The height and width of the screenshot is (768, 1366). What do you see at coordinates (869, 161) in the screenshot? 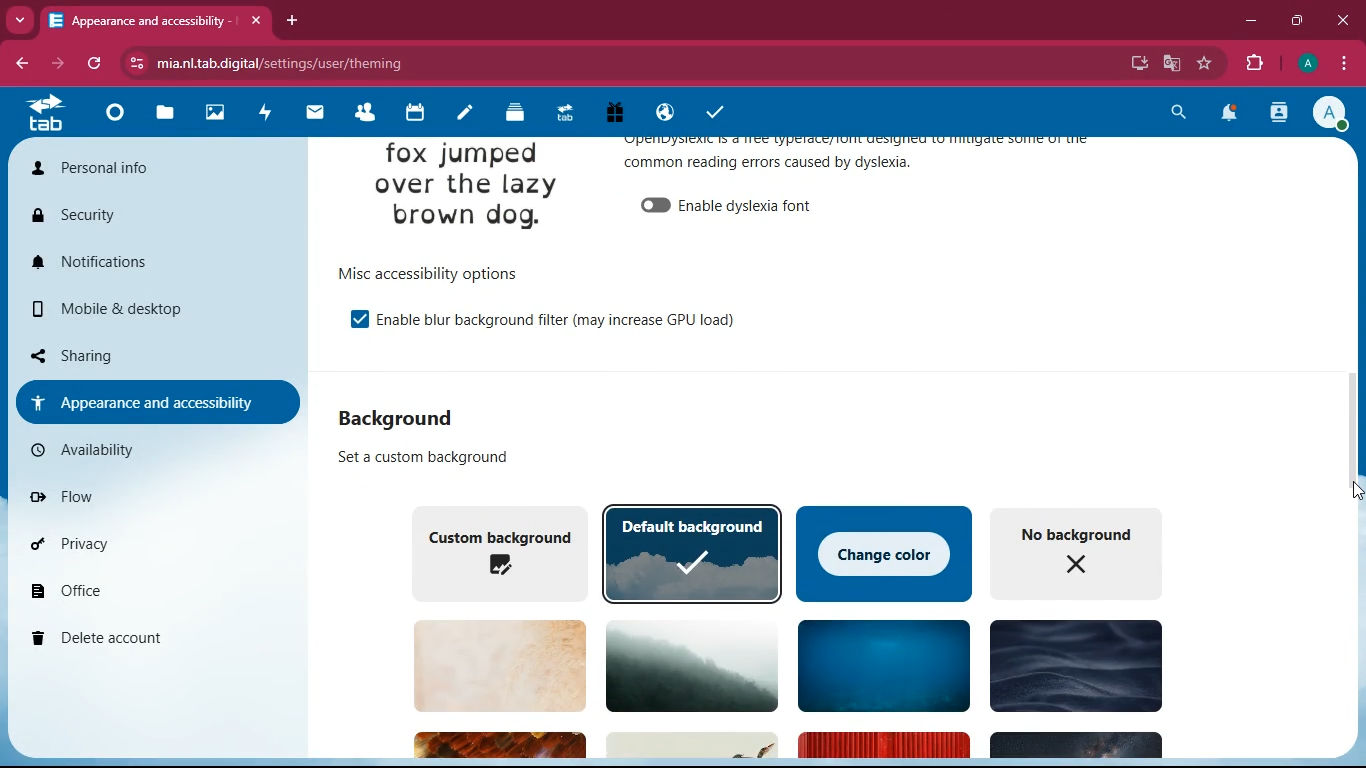
I see `appearance` at bounding box center [869, 161].